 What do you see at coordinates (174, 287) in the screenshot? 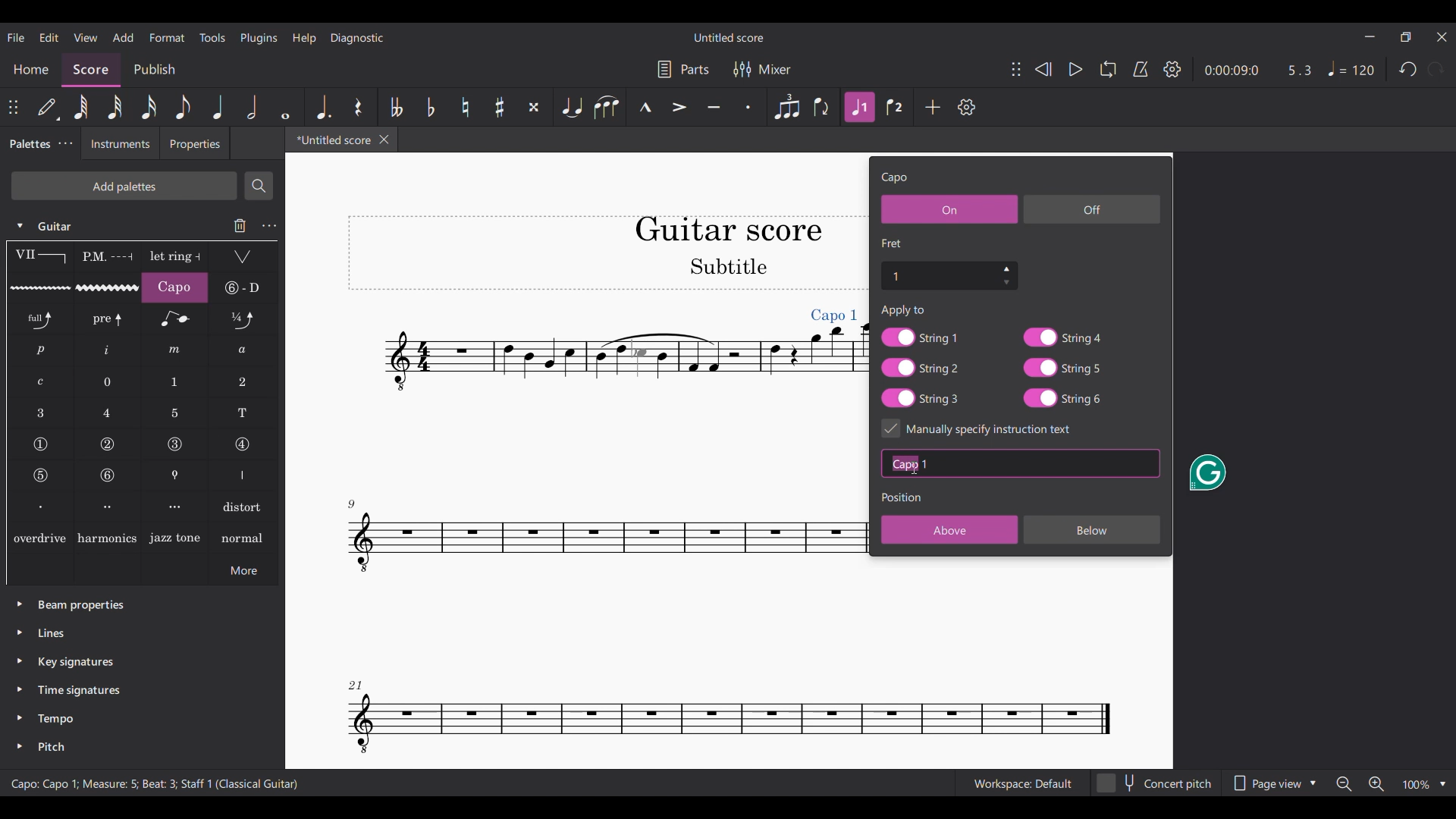
I see `Capo` at bounding box center [174, 287].